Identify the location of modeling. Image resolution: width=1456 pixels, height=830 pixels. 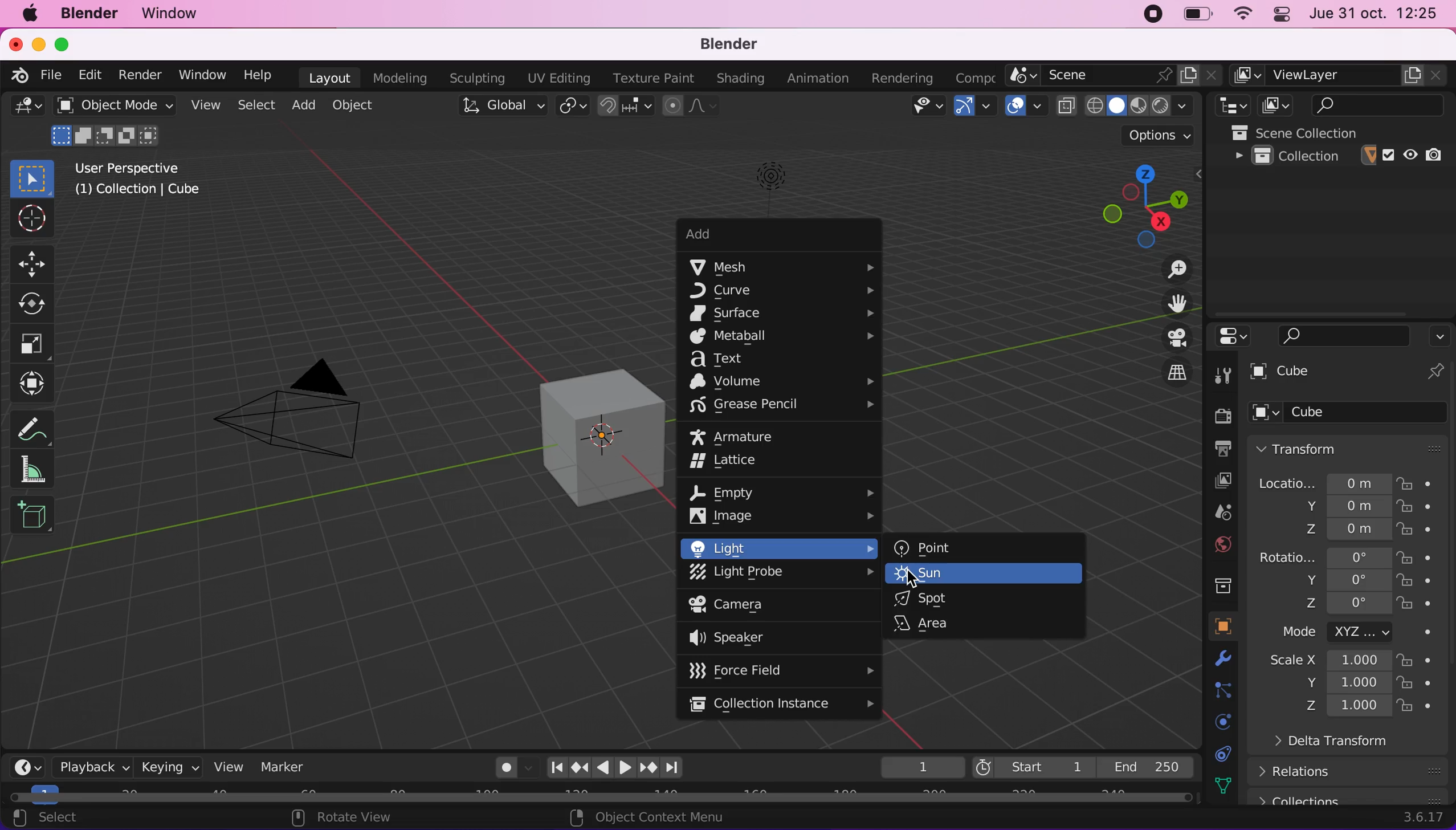
(397, 77).